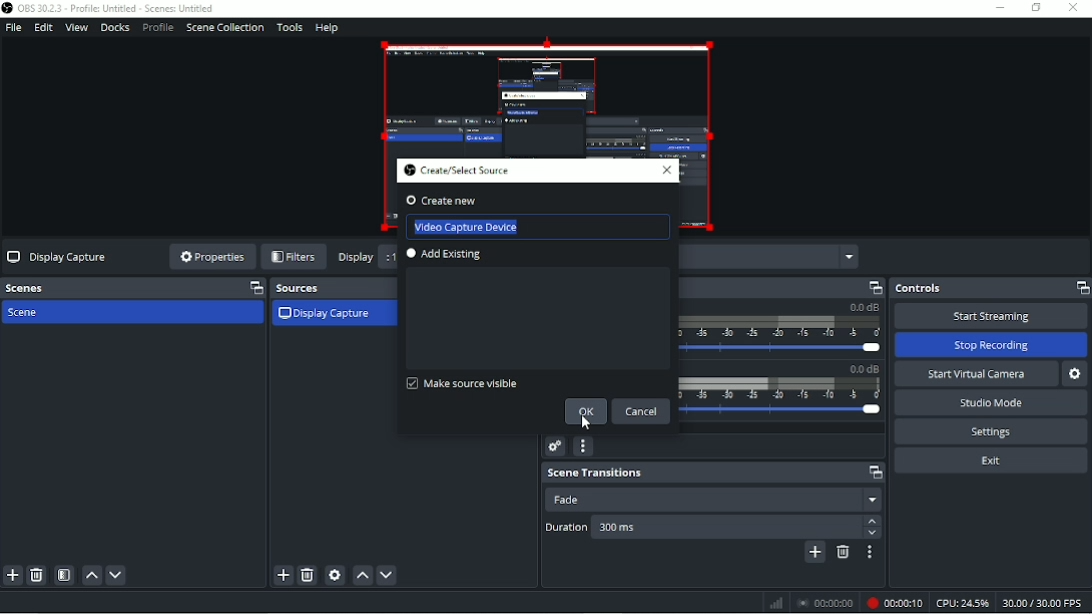 The image size is (1092, 614). I want to click on Studio mode, so click(992, 403).